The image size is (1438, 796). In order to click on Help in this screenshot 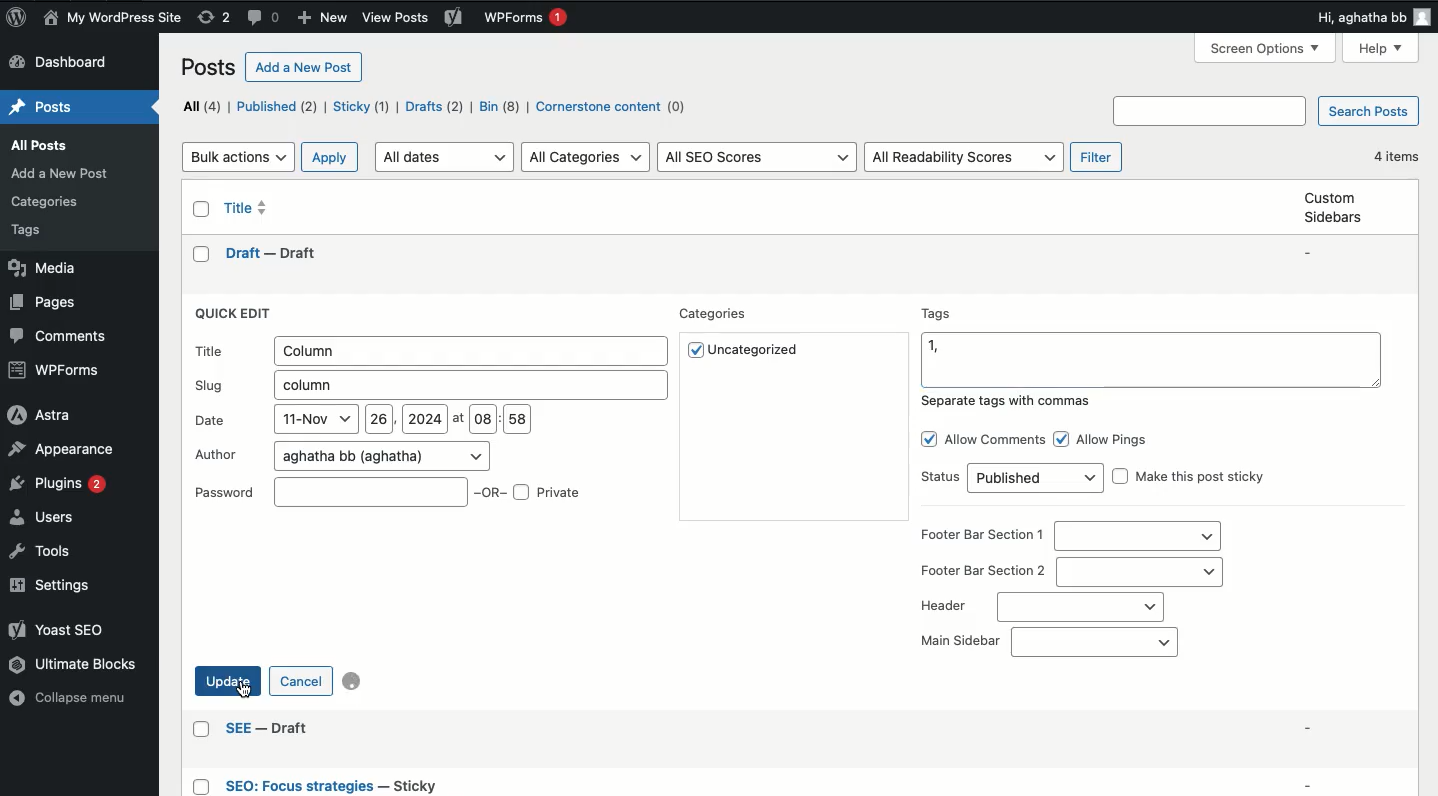, I will do `click(1380, 49)`.